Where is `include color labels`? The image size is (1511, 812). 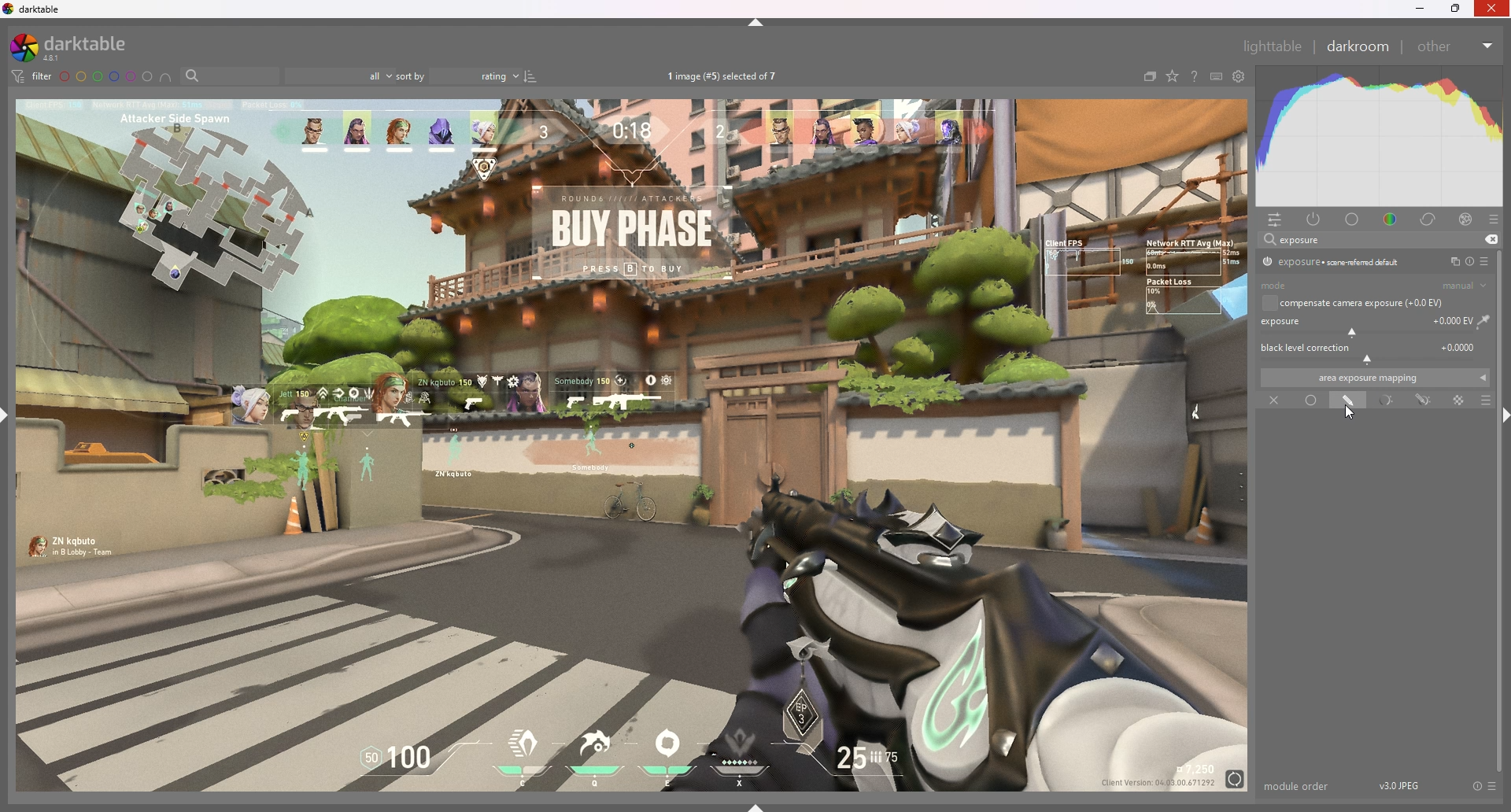
include color labels is located at coordinates (168, 77).